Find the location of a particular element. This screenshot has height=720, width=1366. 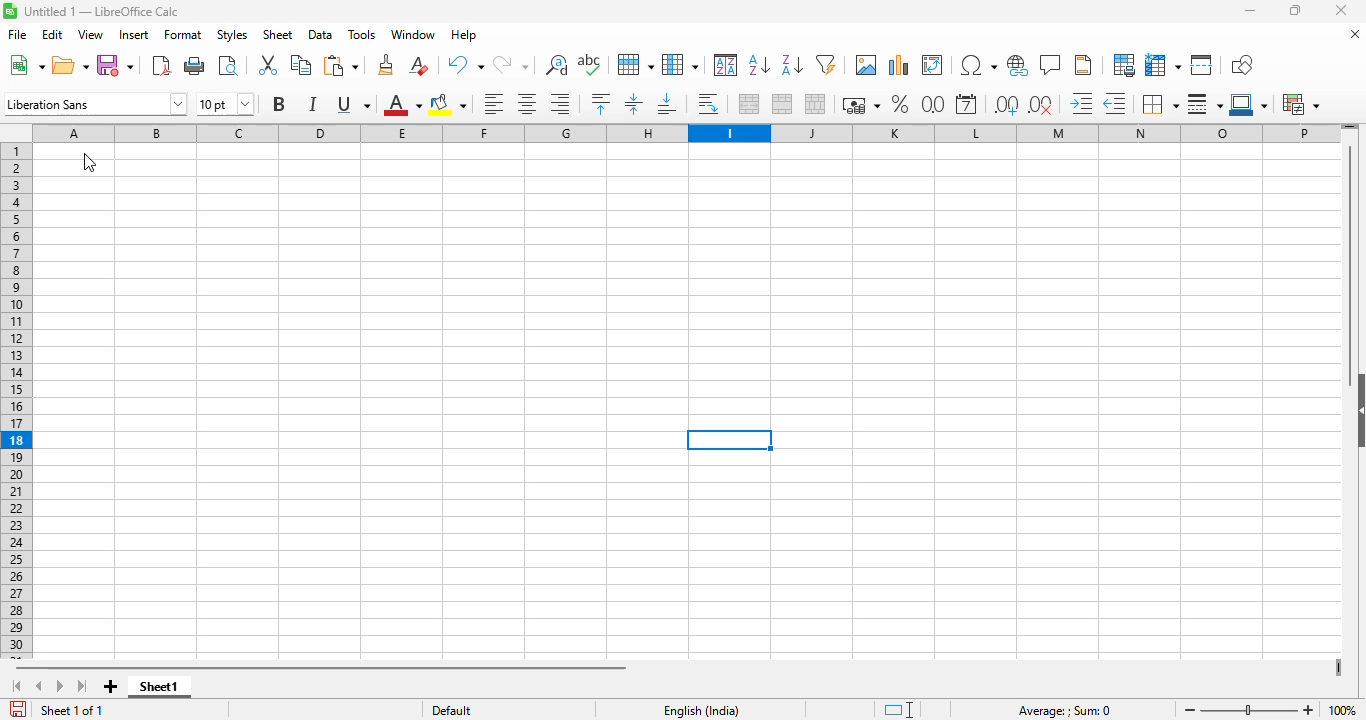

click to save the document is located at coordinates (19, 708).